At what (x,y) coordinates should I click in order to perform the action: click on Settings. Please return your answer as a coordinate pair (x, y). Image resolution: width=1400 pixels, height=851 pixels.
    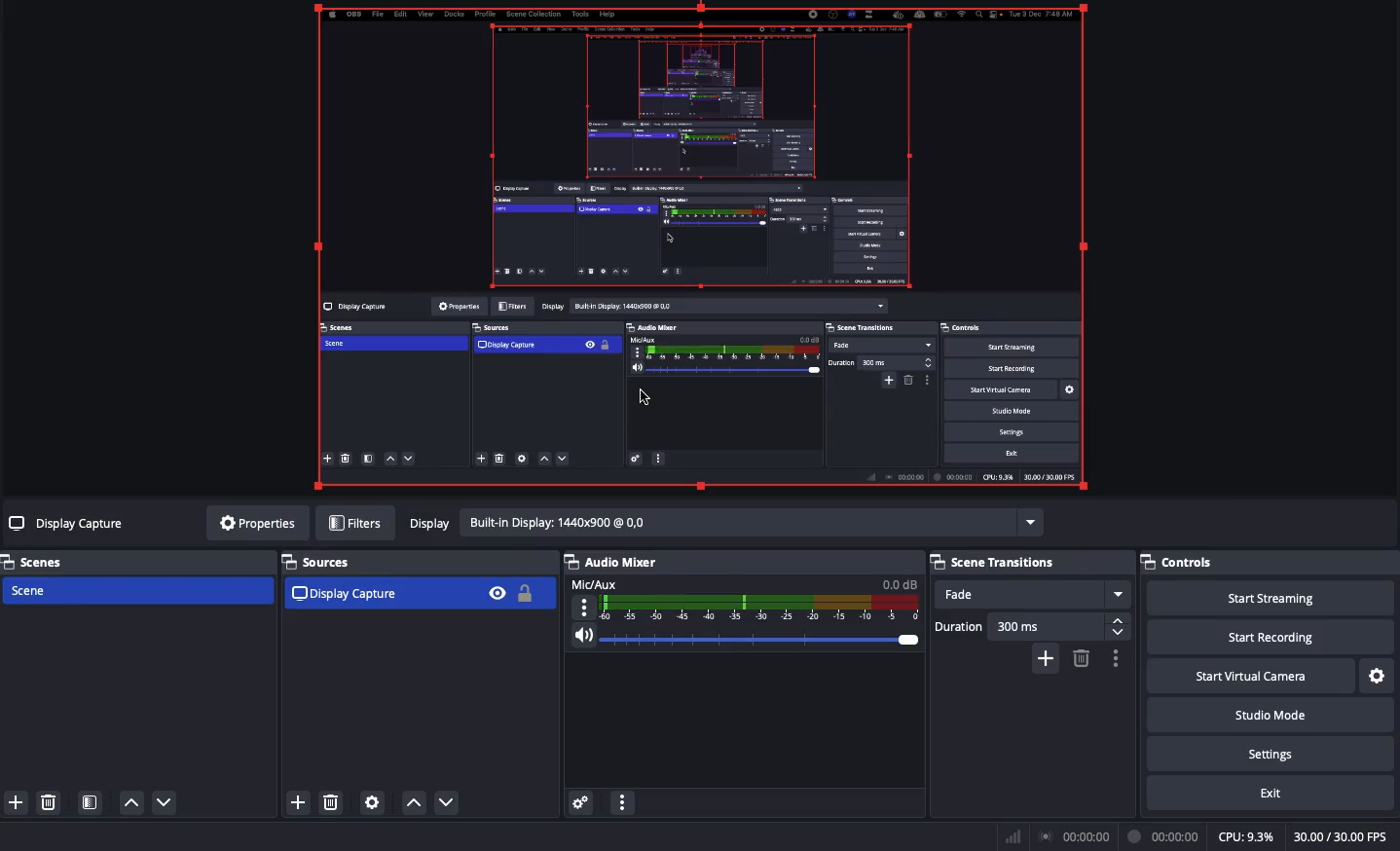
    Looking at the image, I should click on (1377, 676).